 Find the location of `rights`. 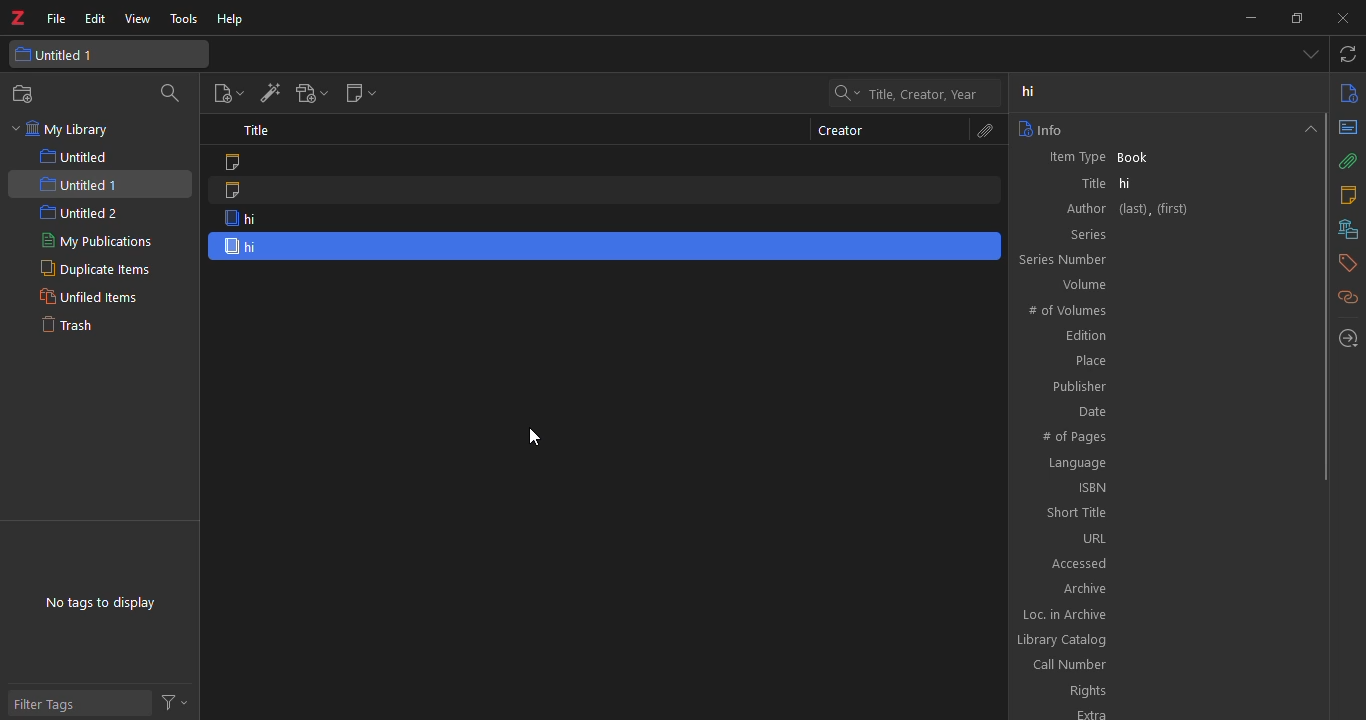

rights is located at coordinates (1085, 691).